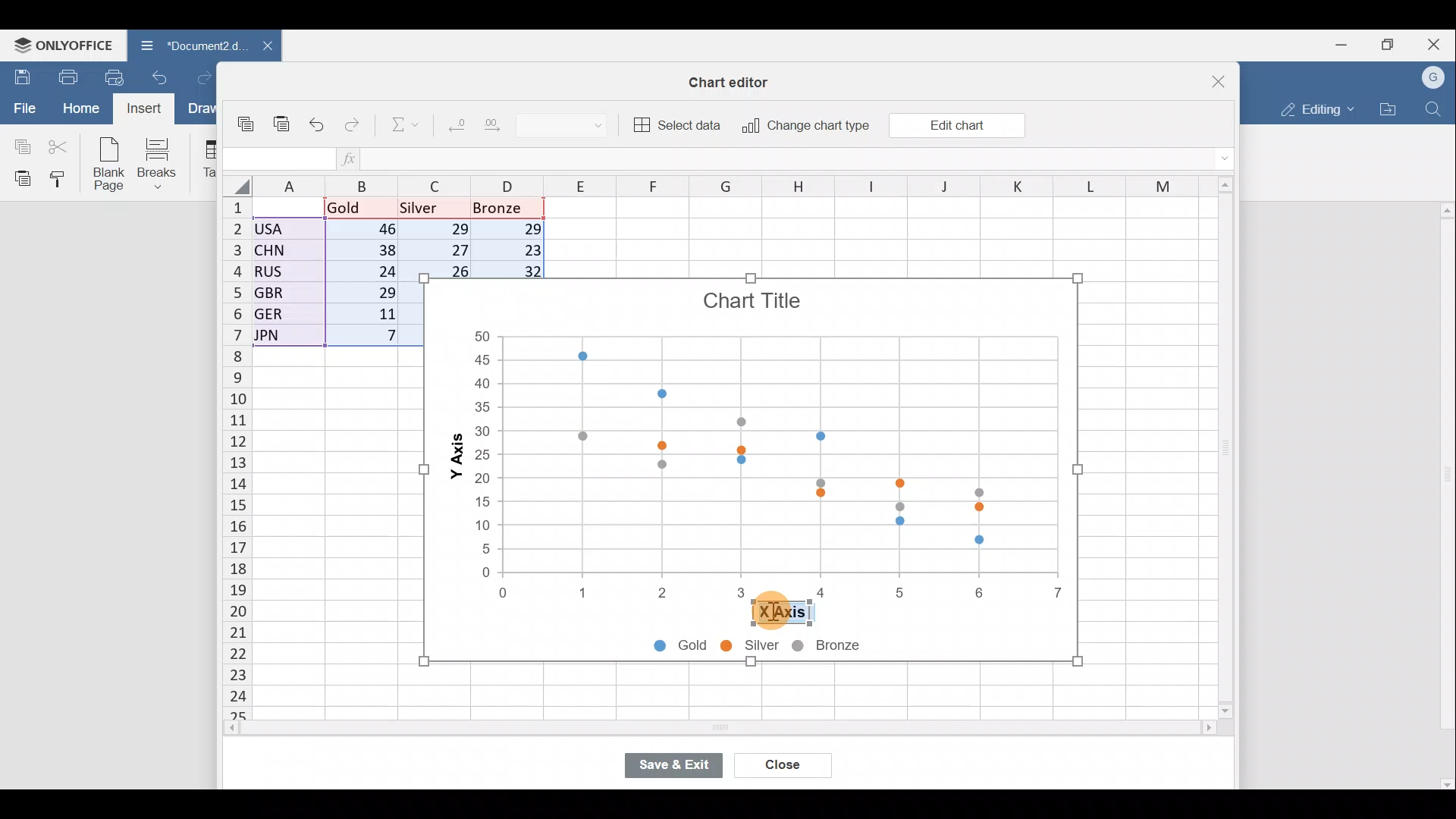 The image size is (1456, 819). I want to click on Scroll bar, so click(1444, 495).